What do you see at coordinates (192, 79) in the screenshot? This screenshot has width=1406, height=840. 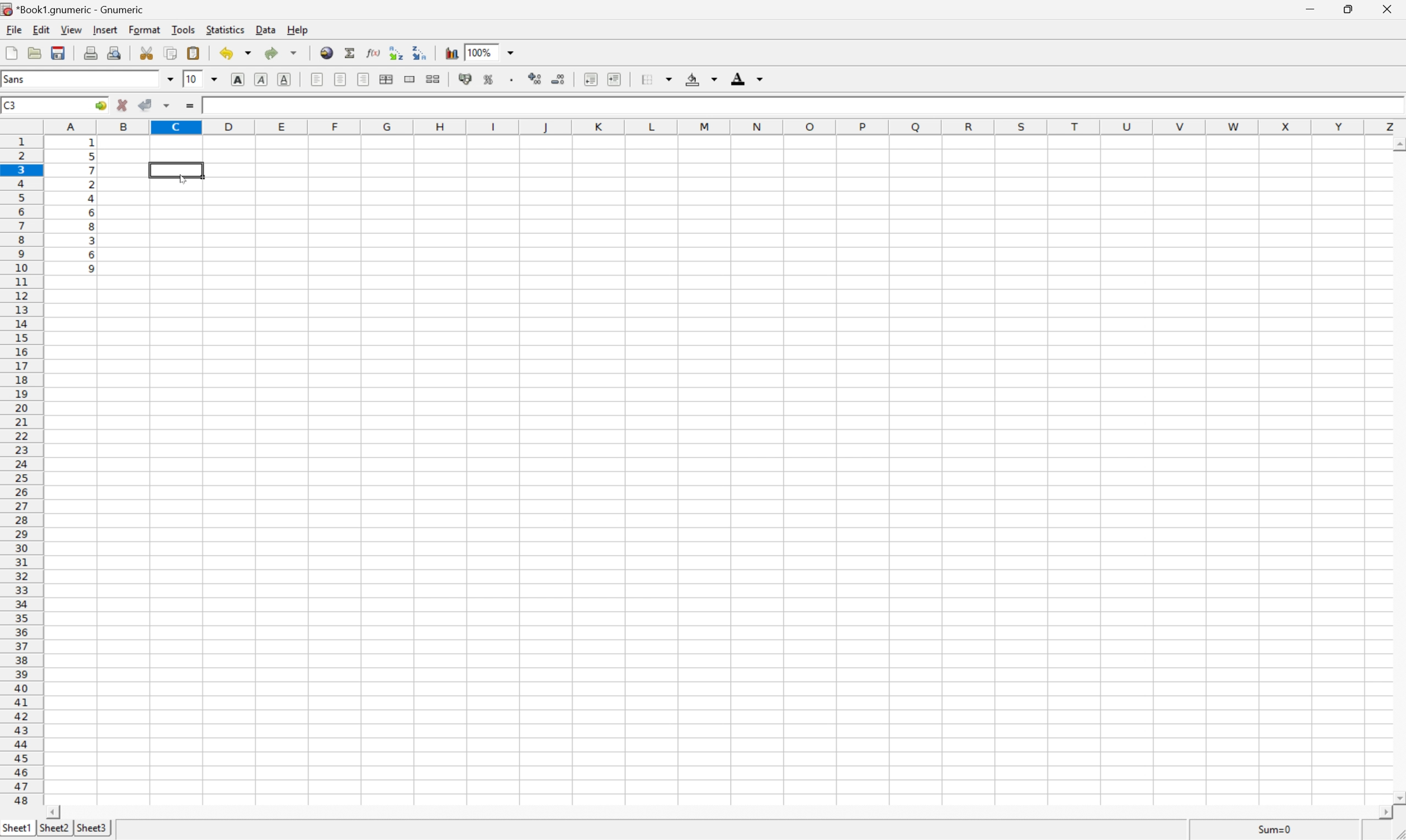 I see `10` at bounding box center [192, 79].